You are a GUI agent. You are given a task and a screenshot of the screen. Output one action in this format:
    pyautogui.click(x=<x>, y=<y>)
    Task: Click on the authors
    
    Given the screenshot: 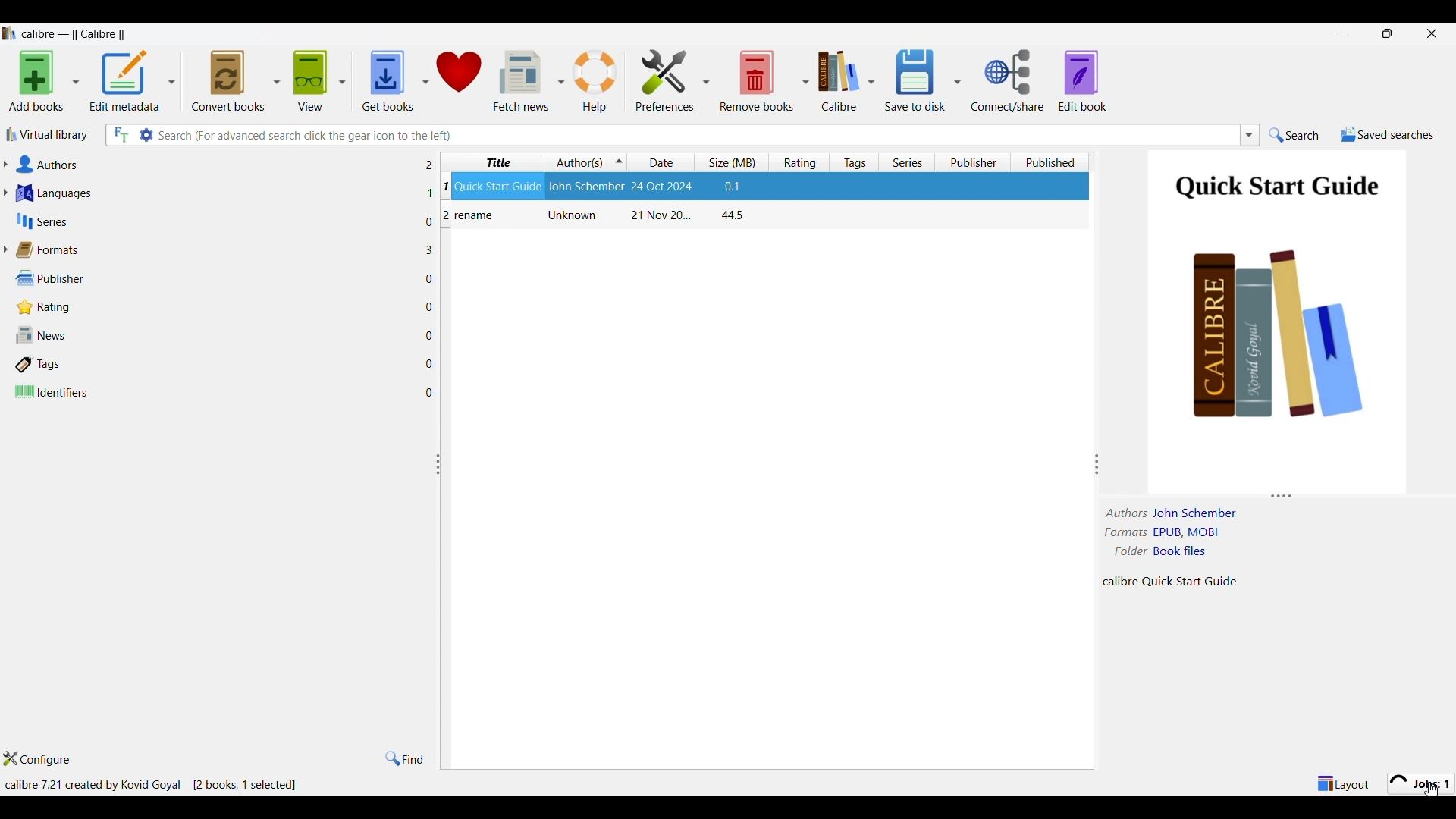 What is the action you would take?
    pyautogui.click(x=1127, y=513)
    